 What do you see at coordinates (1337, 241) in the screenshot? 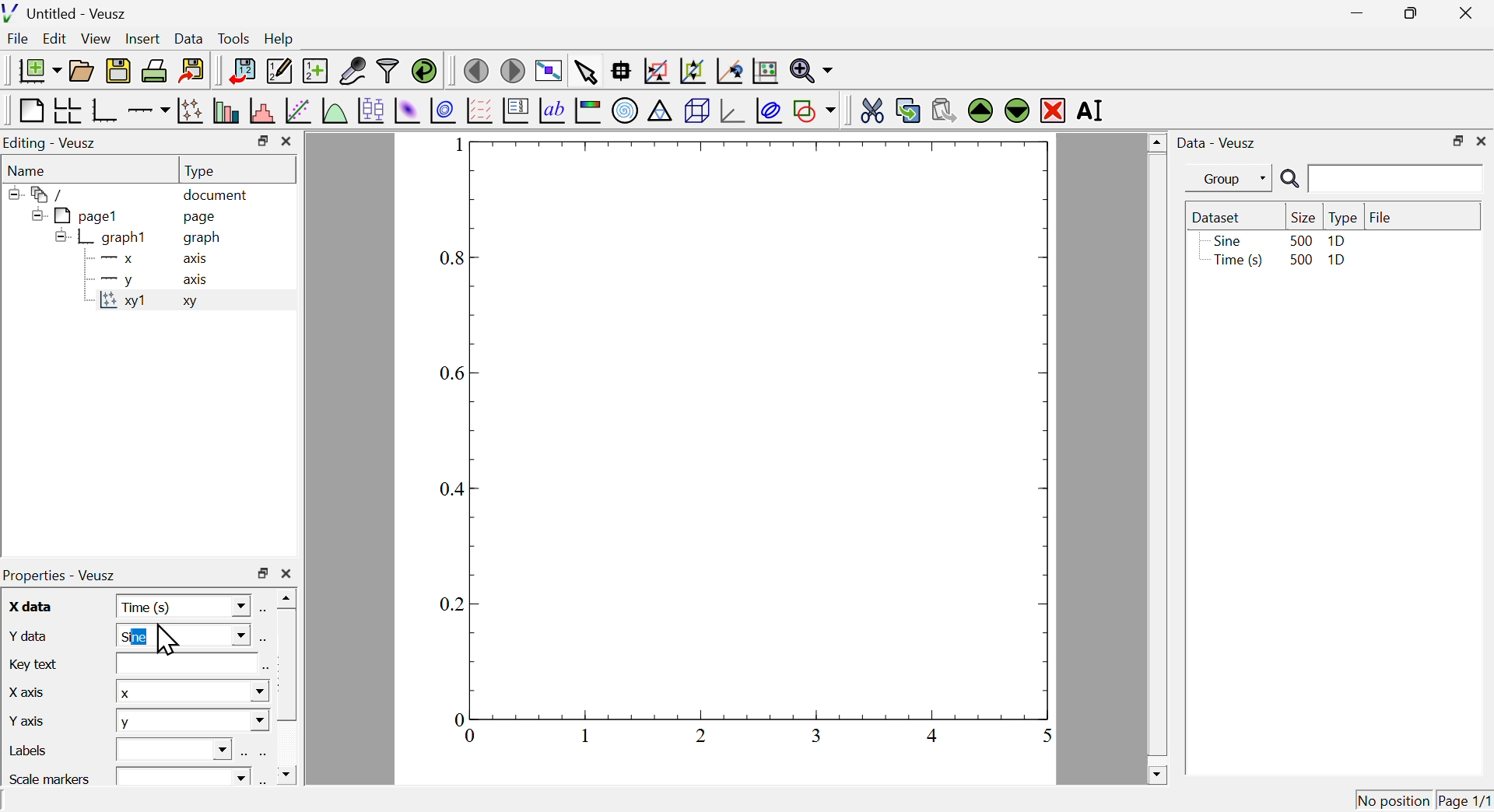
I see `1D` at bounding box center [1337, 241].